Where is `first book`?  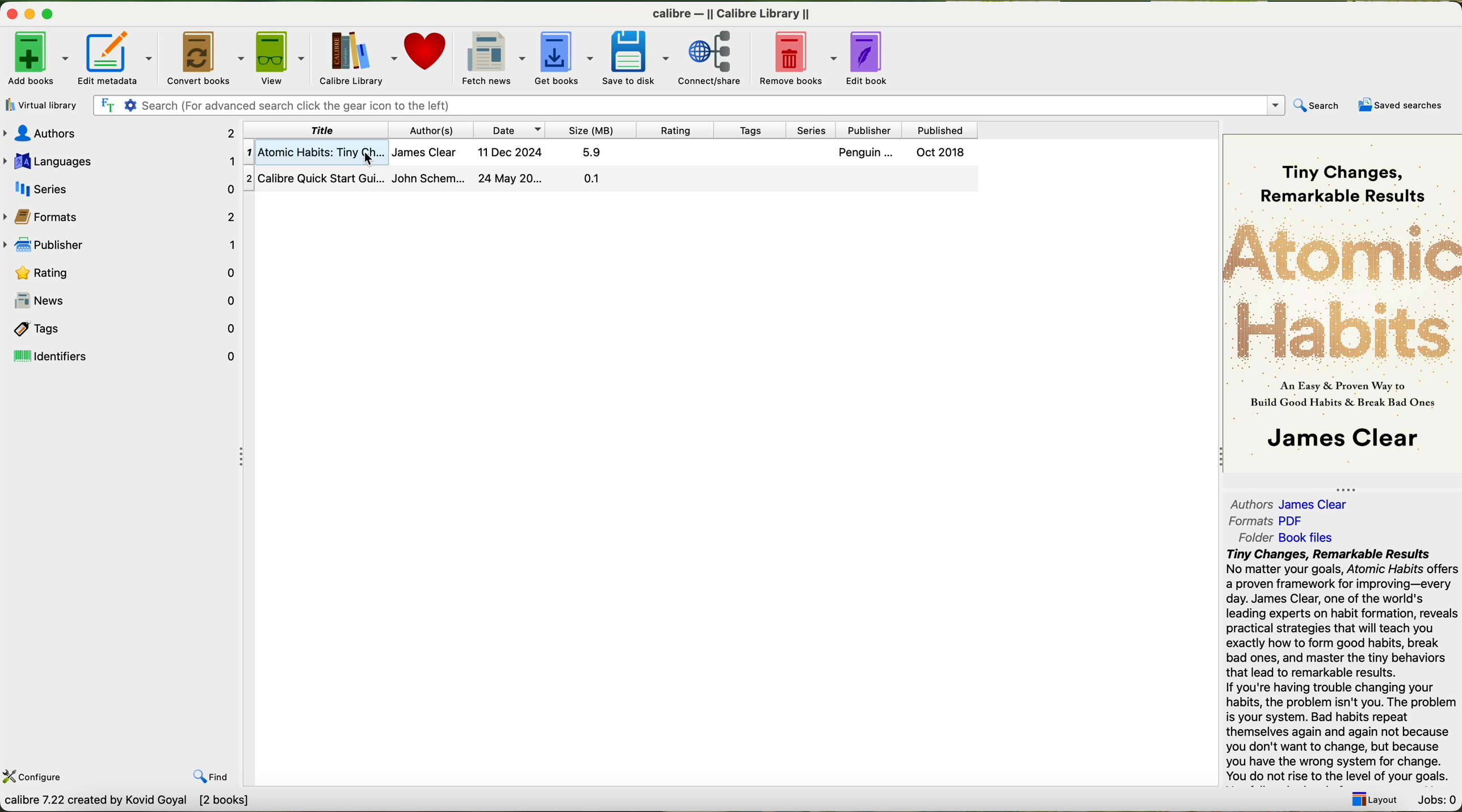 first book is located at coordinates (606, 152).